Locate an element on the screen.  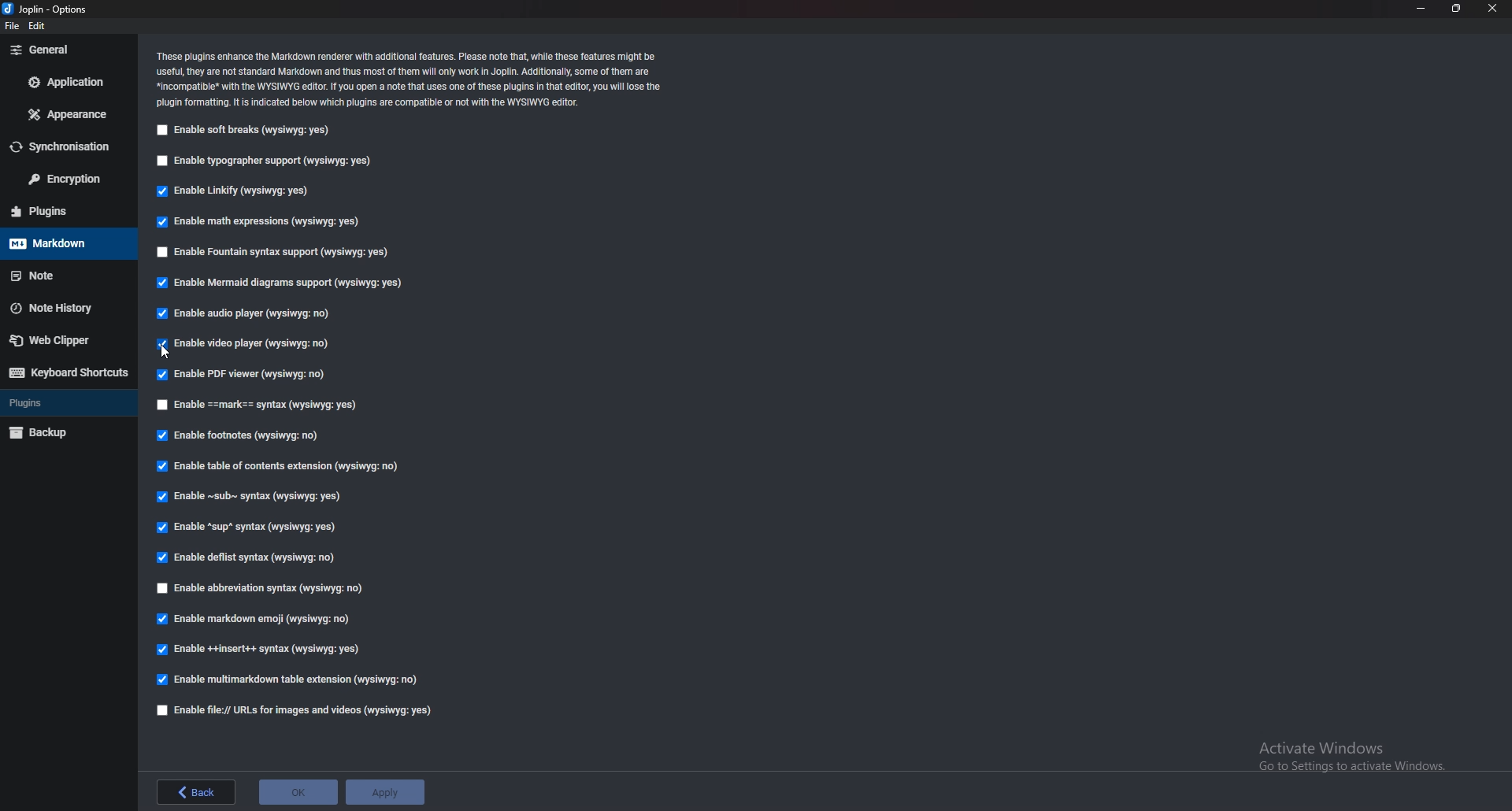
note is located at coordinates (59, 276).